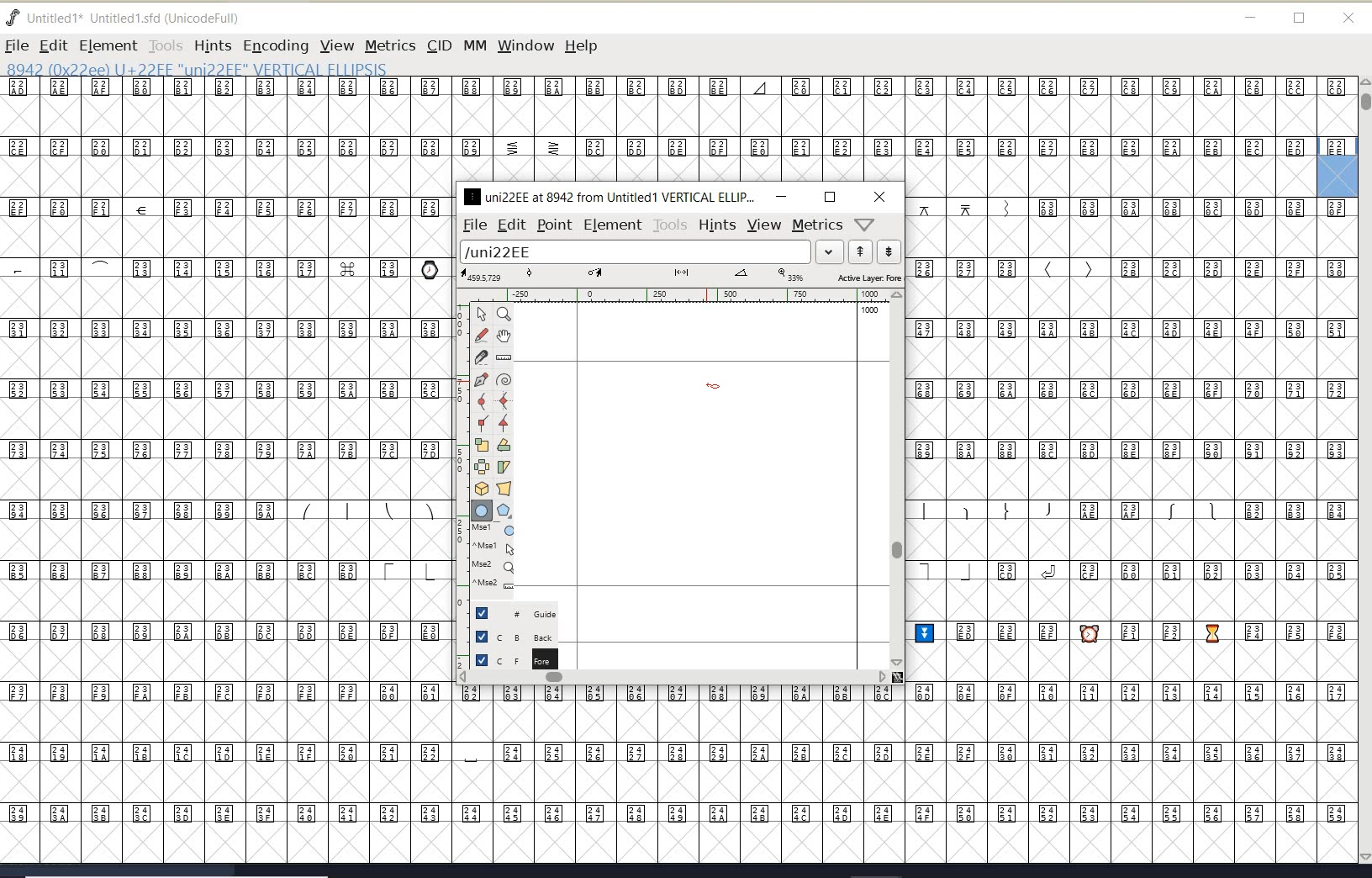  Describe the element at coordinates (335, 45) in the screenshot. I see `VIEW` at that location.